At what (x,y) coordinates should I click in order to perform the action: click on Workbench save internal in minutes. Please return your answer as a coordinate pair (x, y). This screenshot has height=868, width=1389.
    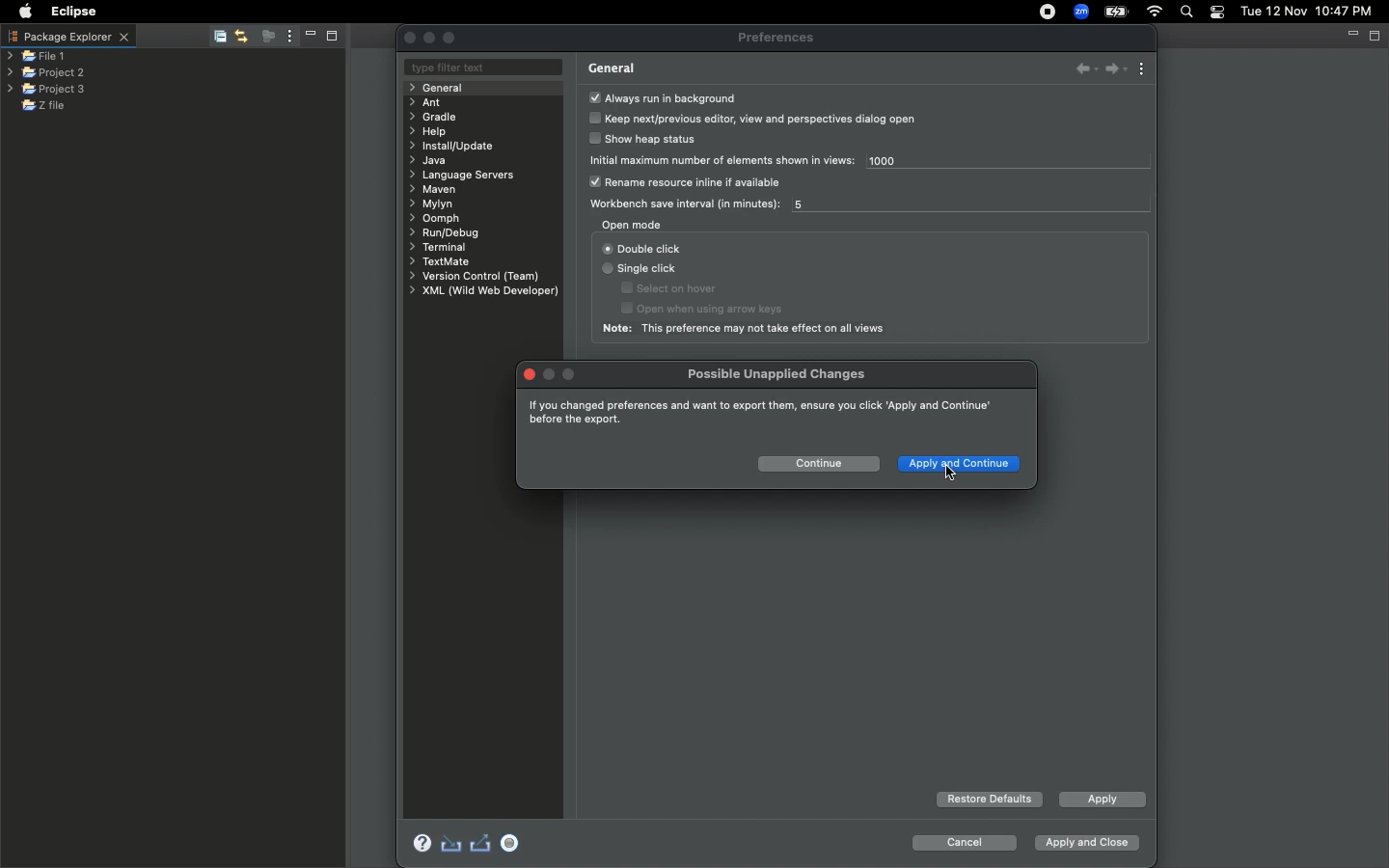
    Looking at the image, I should click on (680, 204).